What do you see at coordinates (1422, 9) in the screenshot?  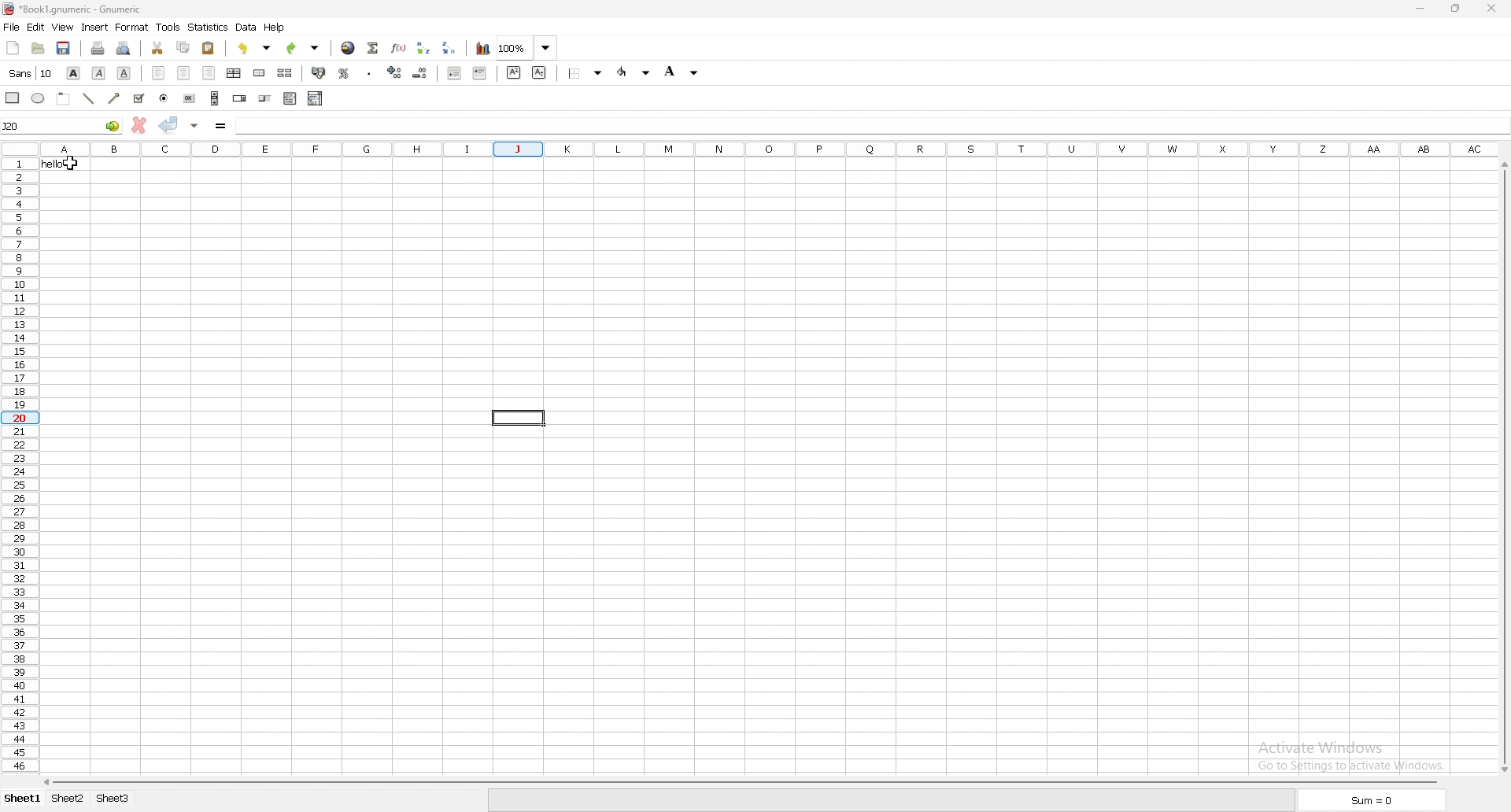 I see `minimize` at bounding box center [1422, 9].